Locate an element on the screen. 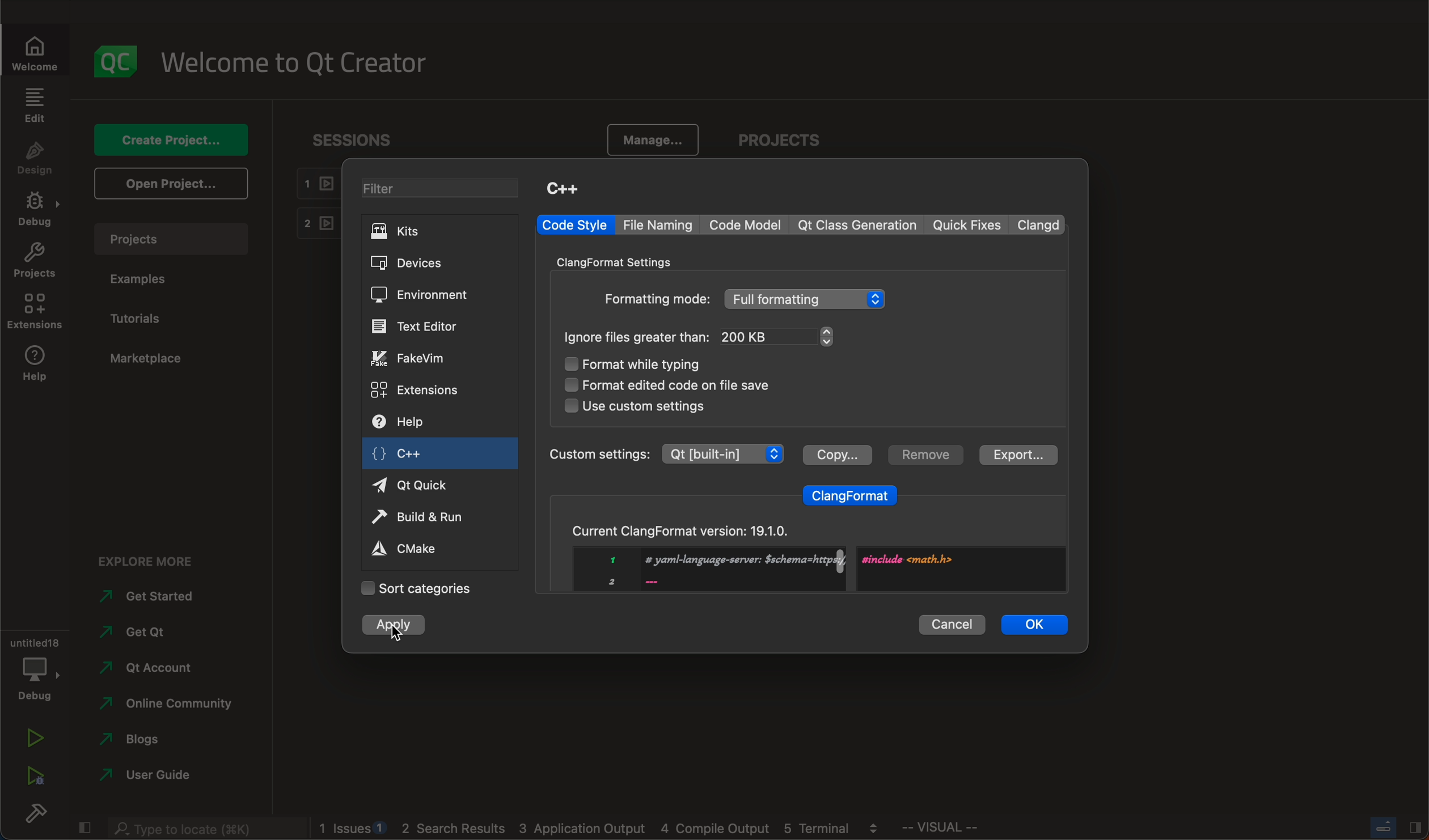  debug is located at coordinates (33, 667).